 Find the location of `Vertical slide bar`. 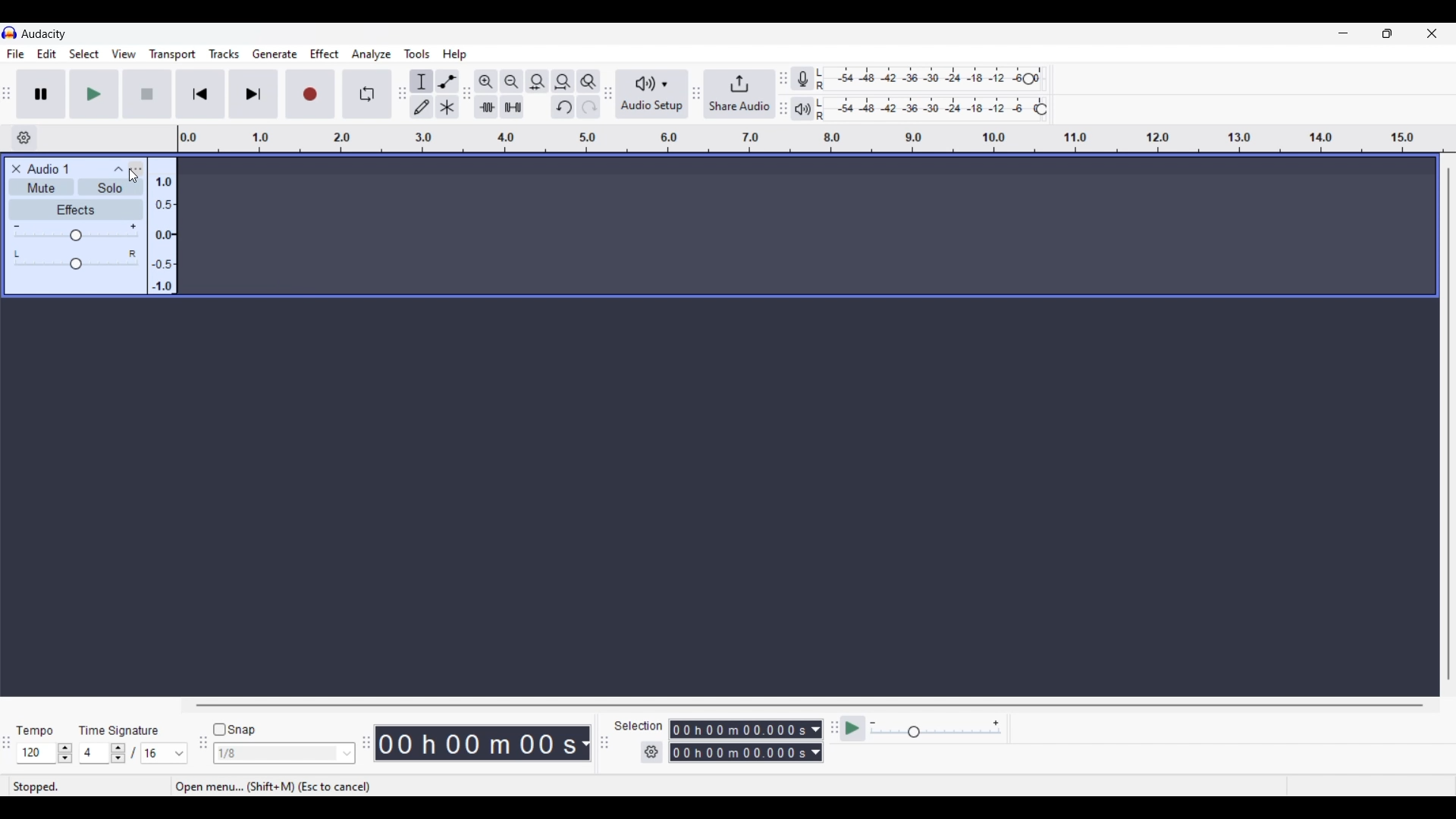

Vertical slide bar is located at coordinates (1448, 424).